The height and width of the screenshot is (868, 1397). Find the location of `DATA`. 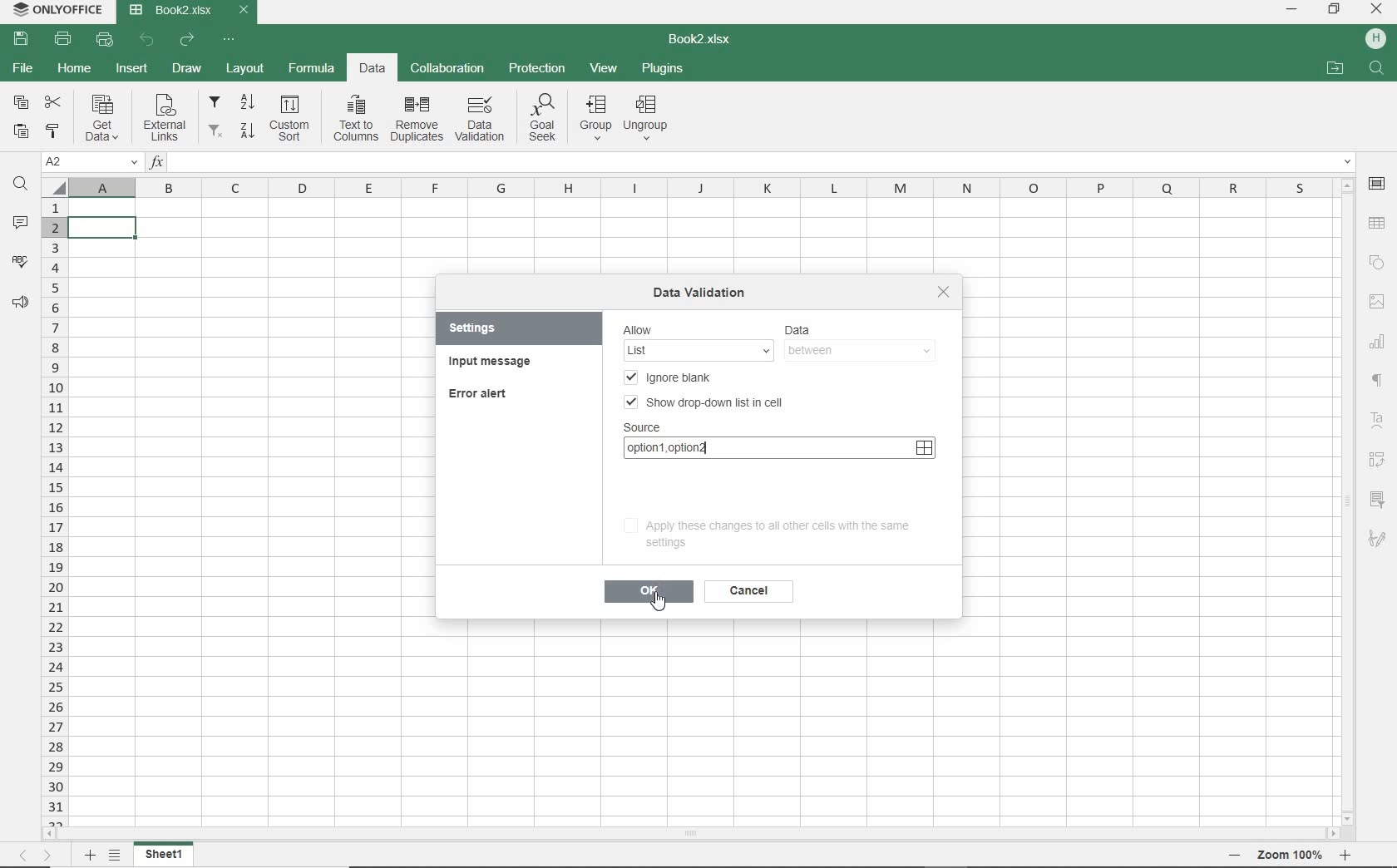

DATA is located at coordinates (368, 69).